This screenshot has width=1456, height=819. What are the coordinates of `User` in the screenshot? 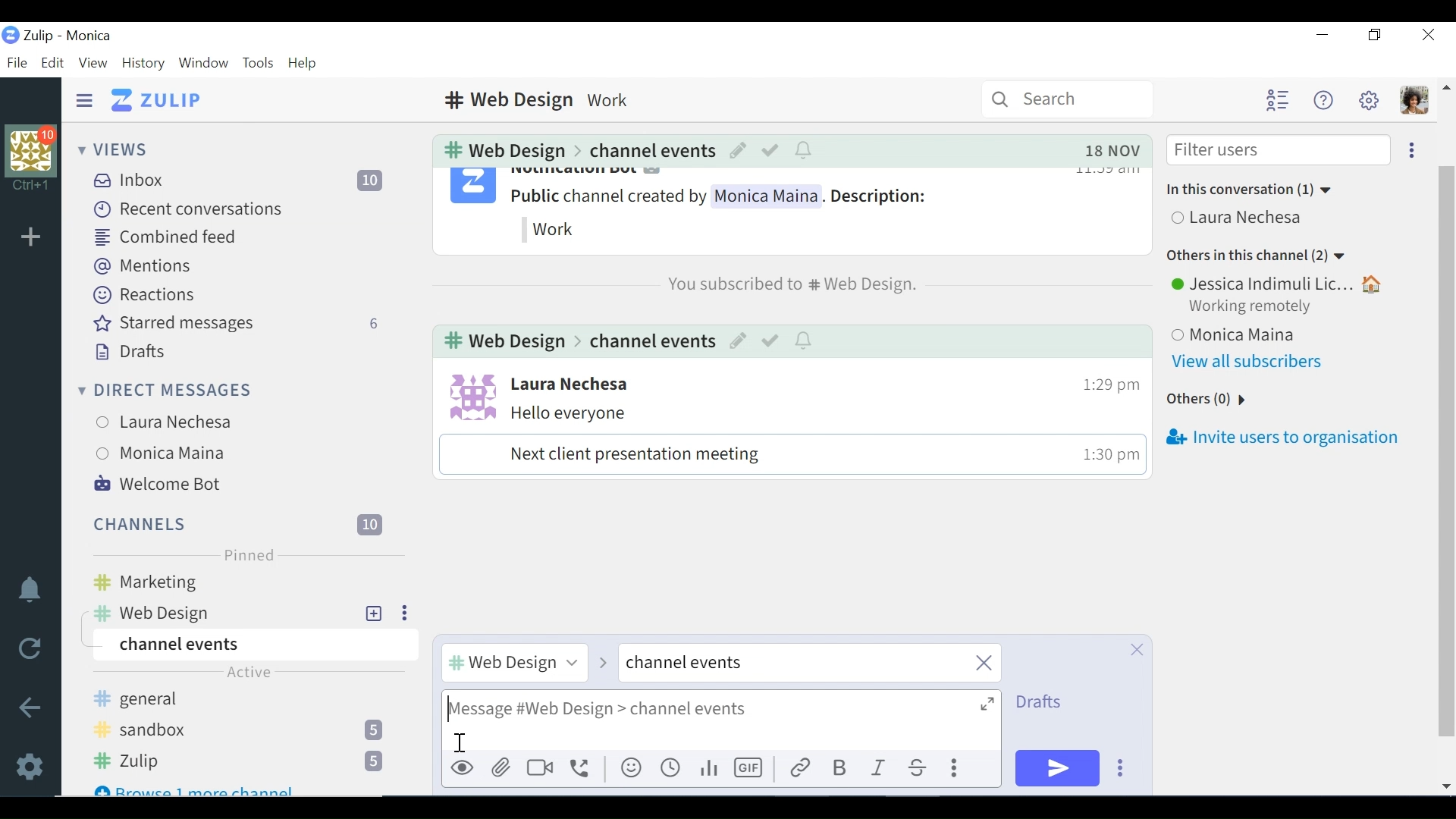 It's located at (172, 419).